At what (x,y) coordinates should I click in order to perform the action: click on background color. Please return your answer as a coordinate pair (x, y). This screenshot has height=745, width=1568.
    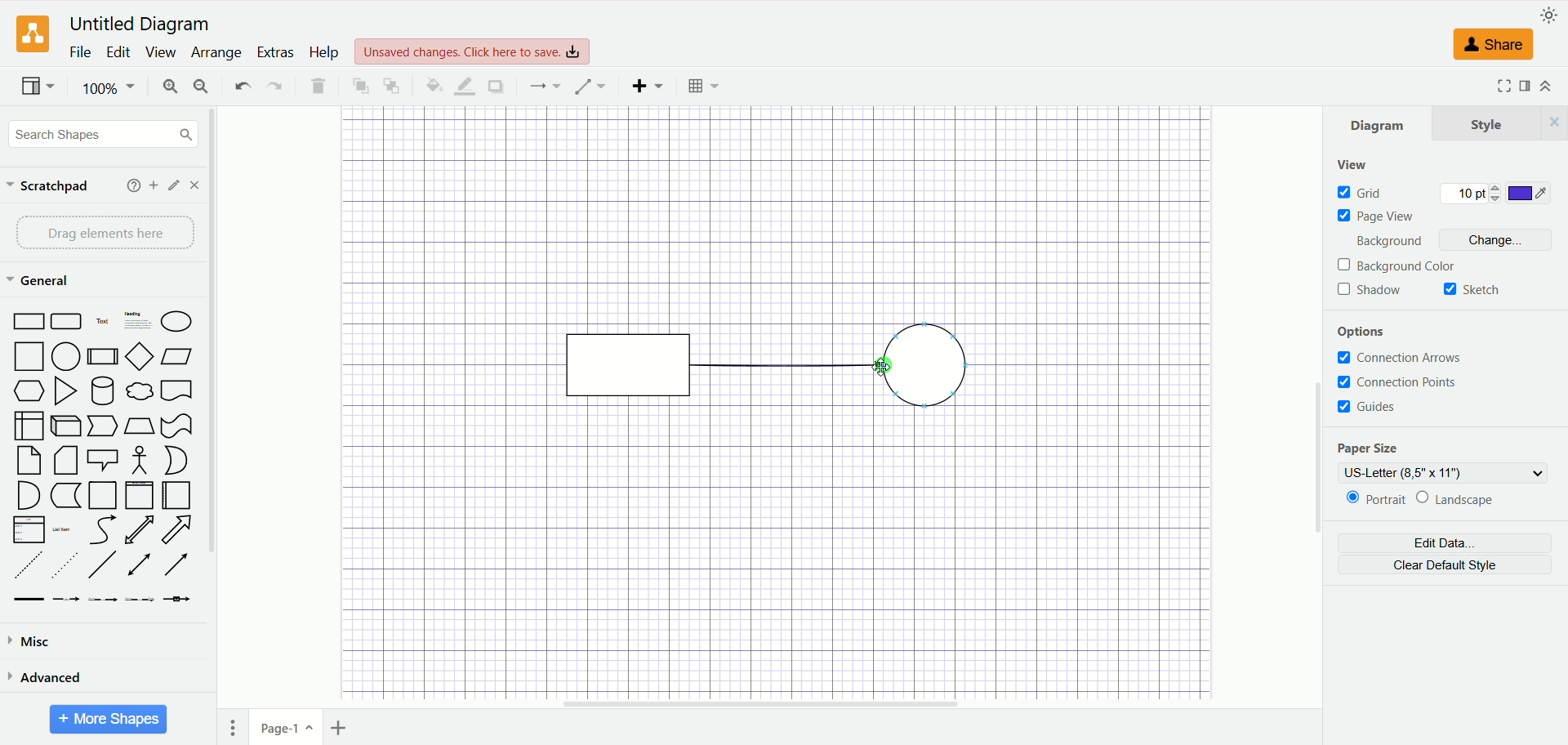
    Looking at the image, I should click on (1398, 265).